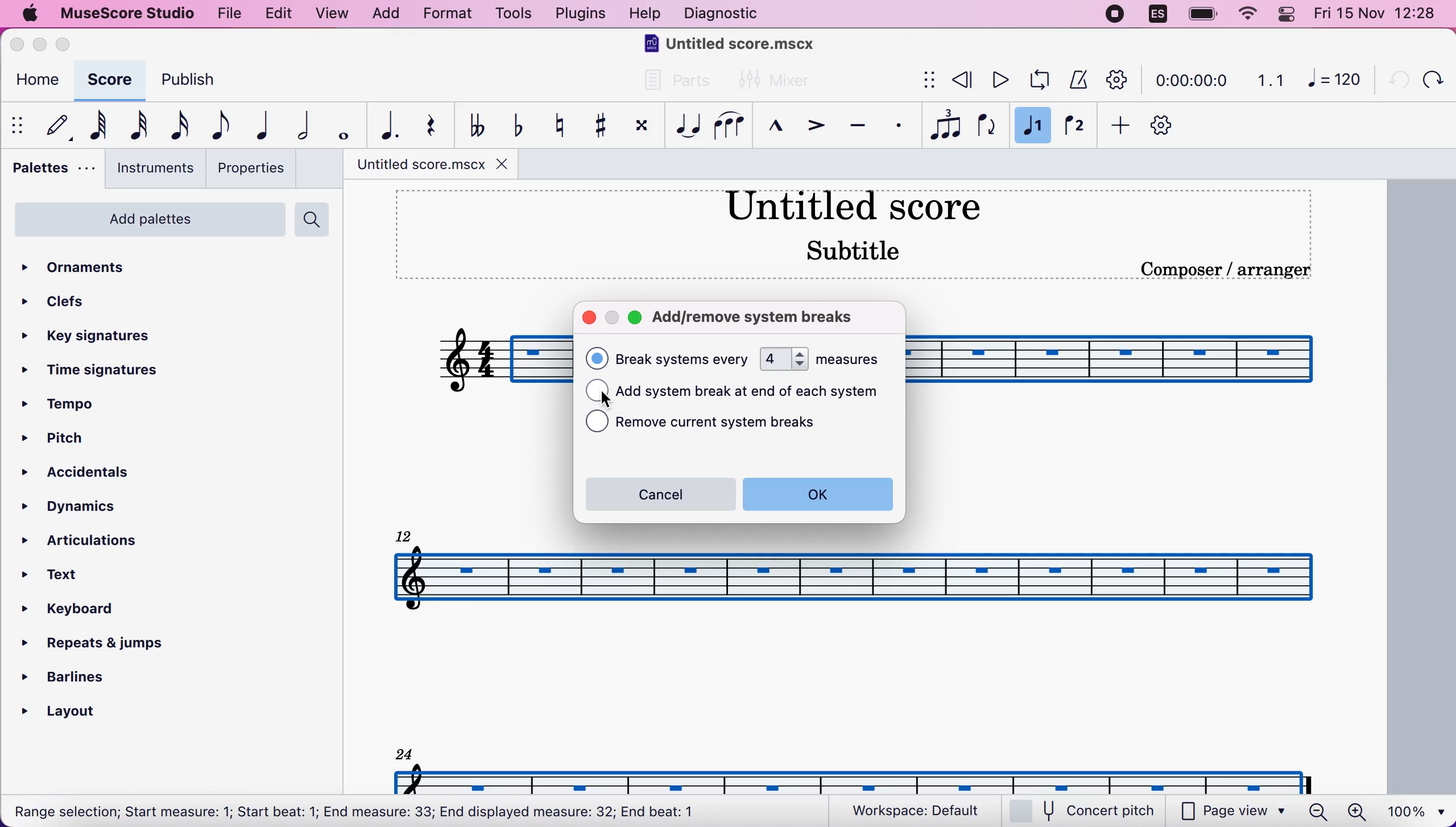 The image size is (1456, 827). Describe the element at coordinates (57, 301) in the screenshot. I see `clefs` at that location.